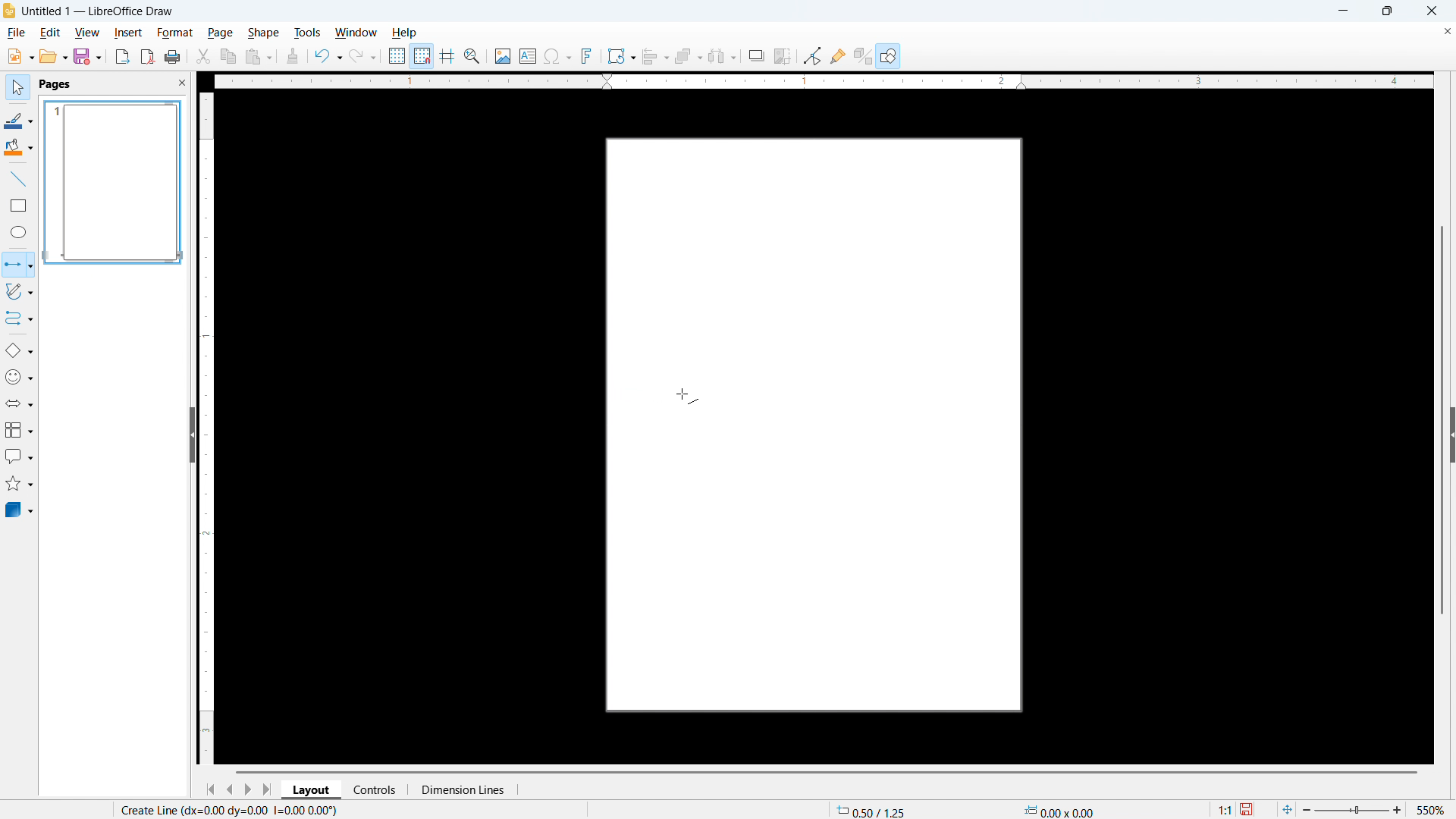  Describe the element at coordinates (20, 206) in the screenshot. I see `Rectangle ` at that location.